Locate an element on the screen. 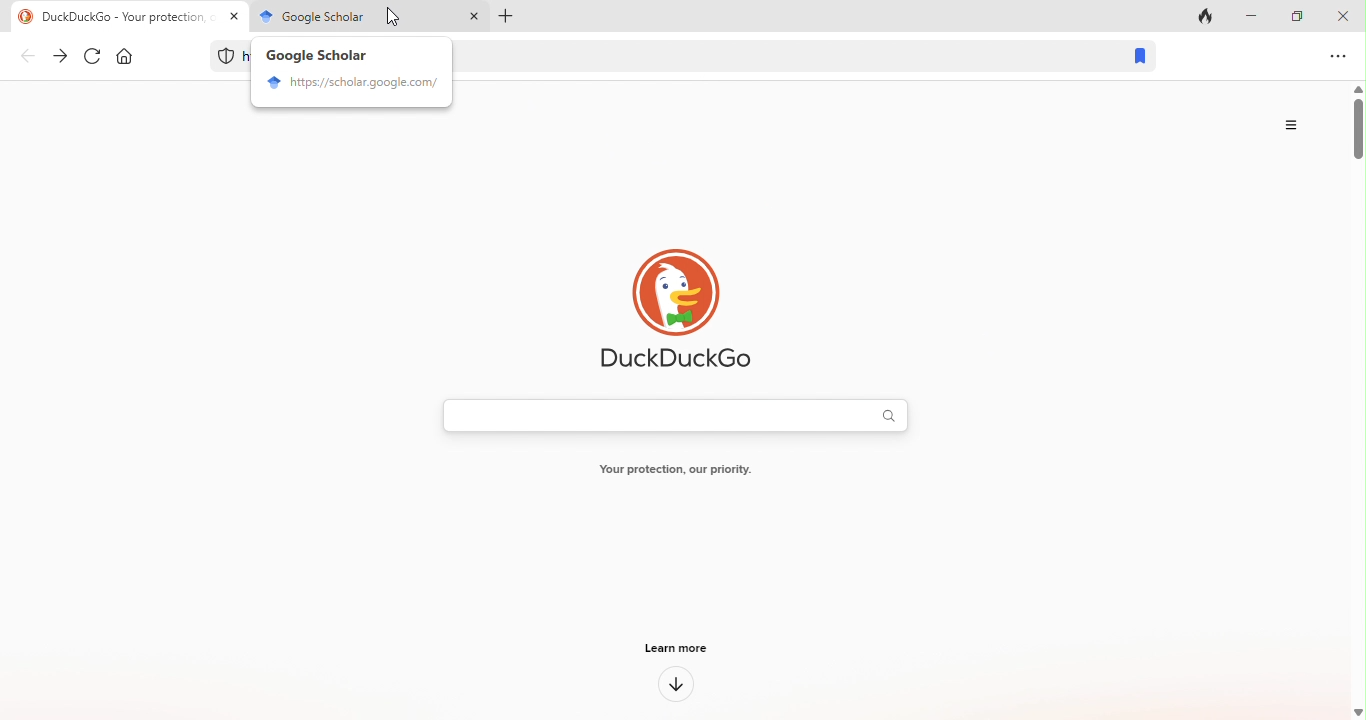 The image size is (1366, 720). maximize is located at coordinates (1301, 15).